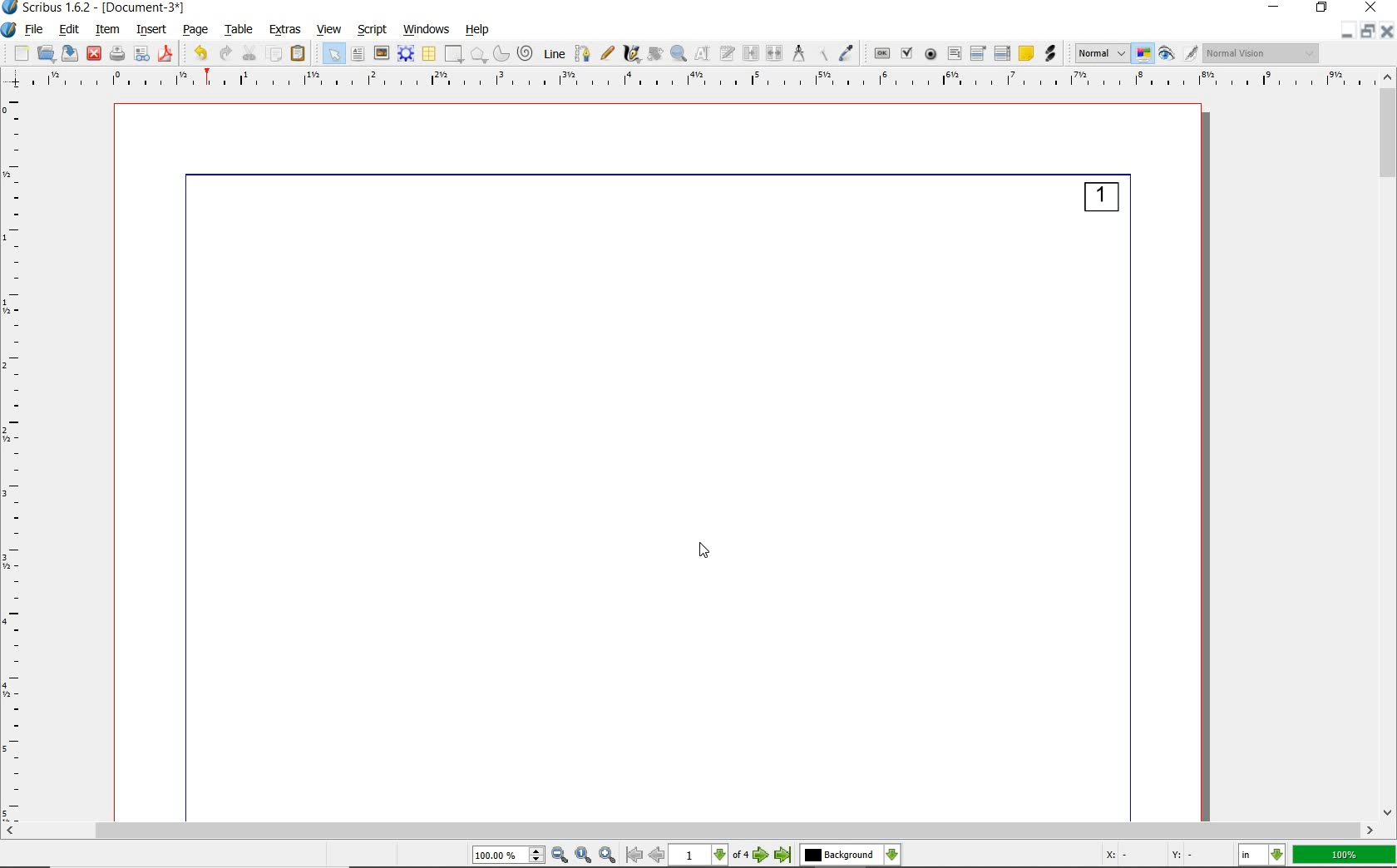 This screenshot has width=1397, height=868. What do you see at coordinates (477, 55) in the screenshot?
I see `polygon` at bounding box center [477, 55].